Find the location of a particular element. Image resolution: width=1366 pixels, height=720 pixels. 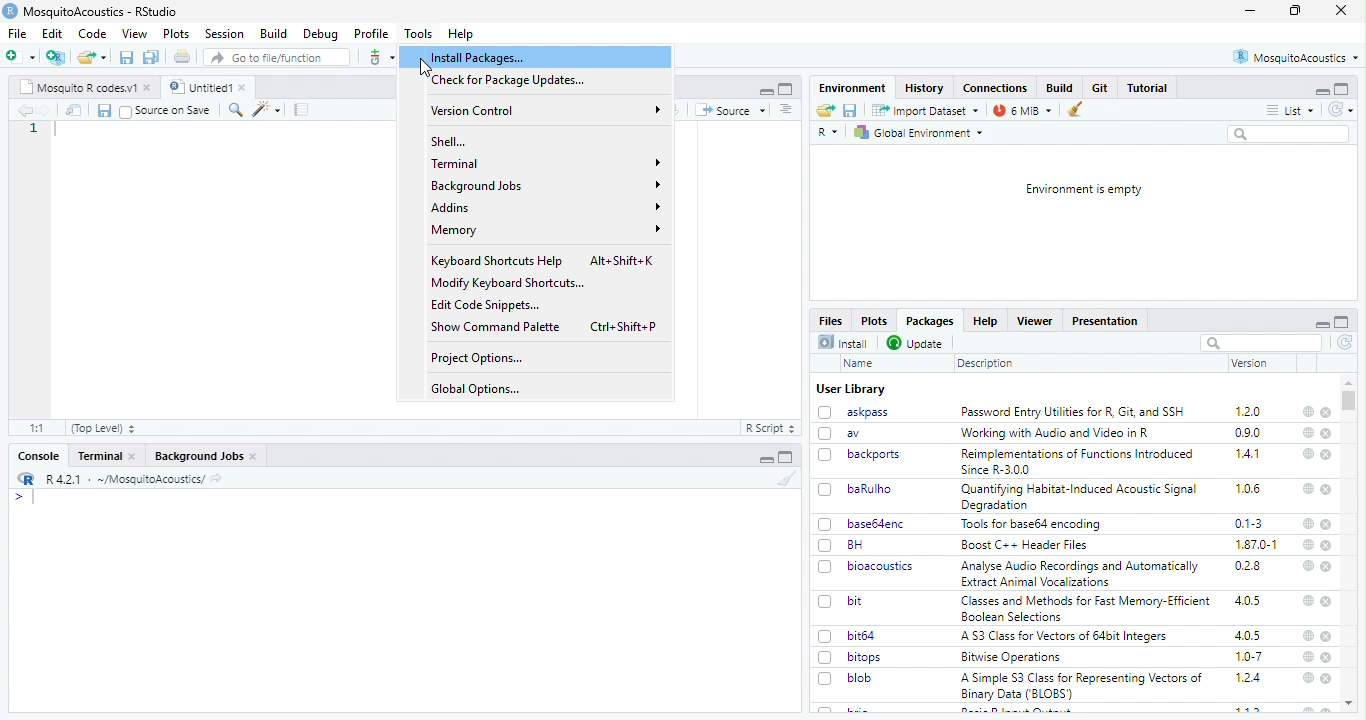

checkbox is located at coordinates (826, 434).